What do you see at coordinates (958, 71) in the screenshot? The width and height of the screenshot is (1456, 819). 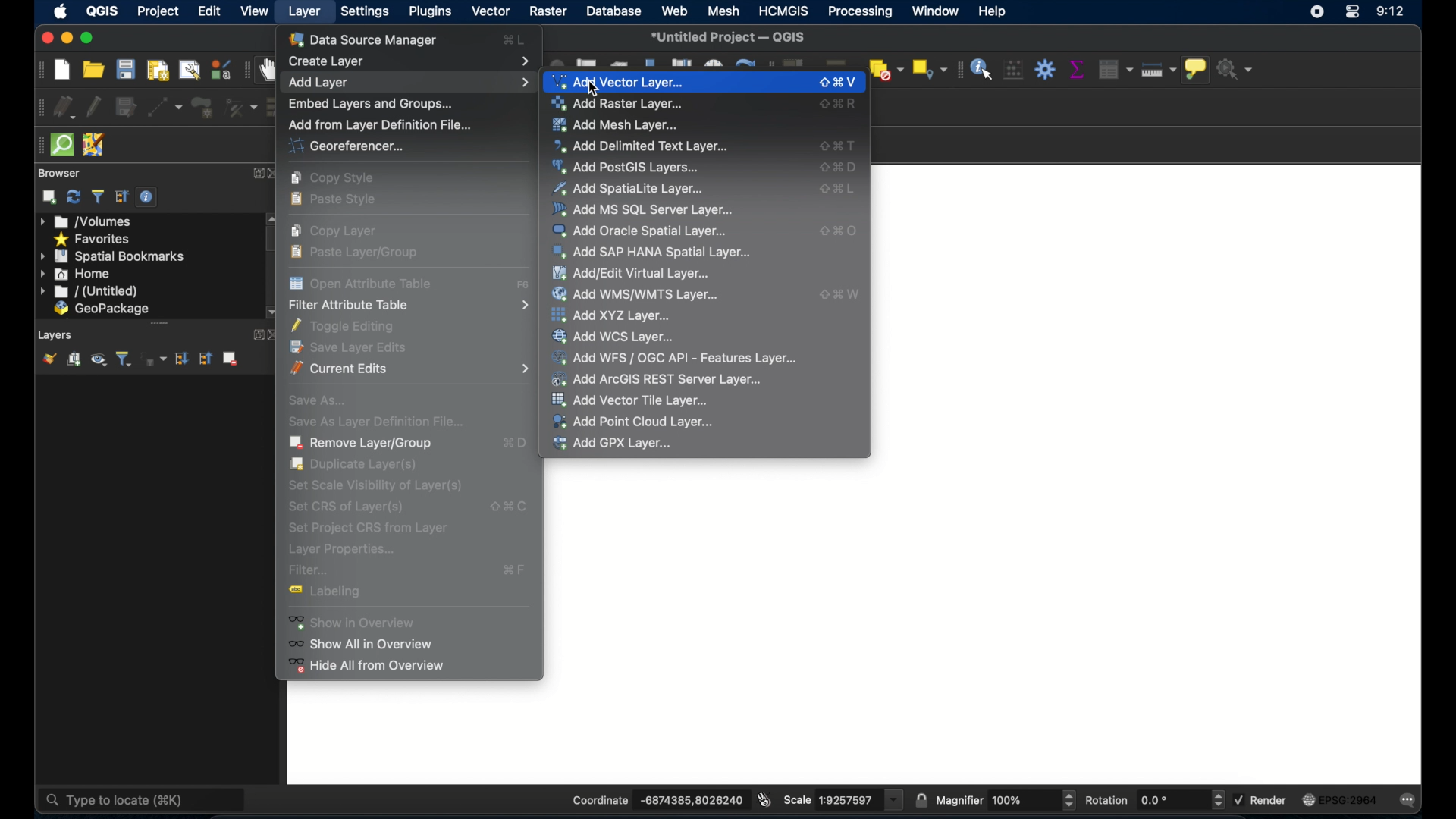 I see `attribute toolbar` at bounding box center [958, 71].